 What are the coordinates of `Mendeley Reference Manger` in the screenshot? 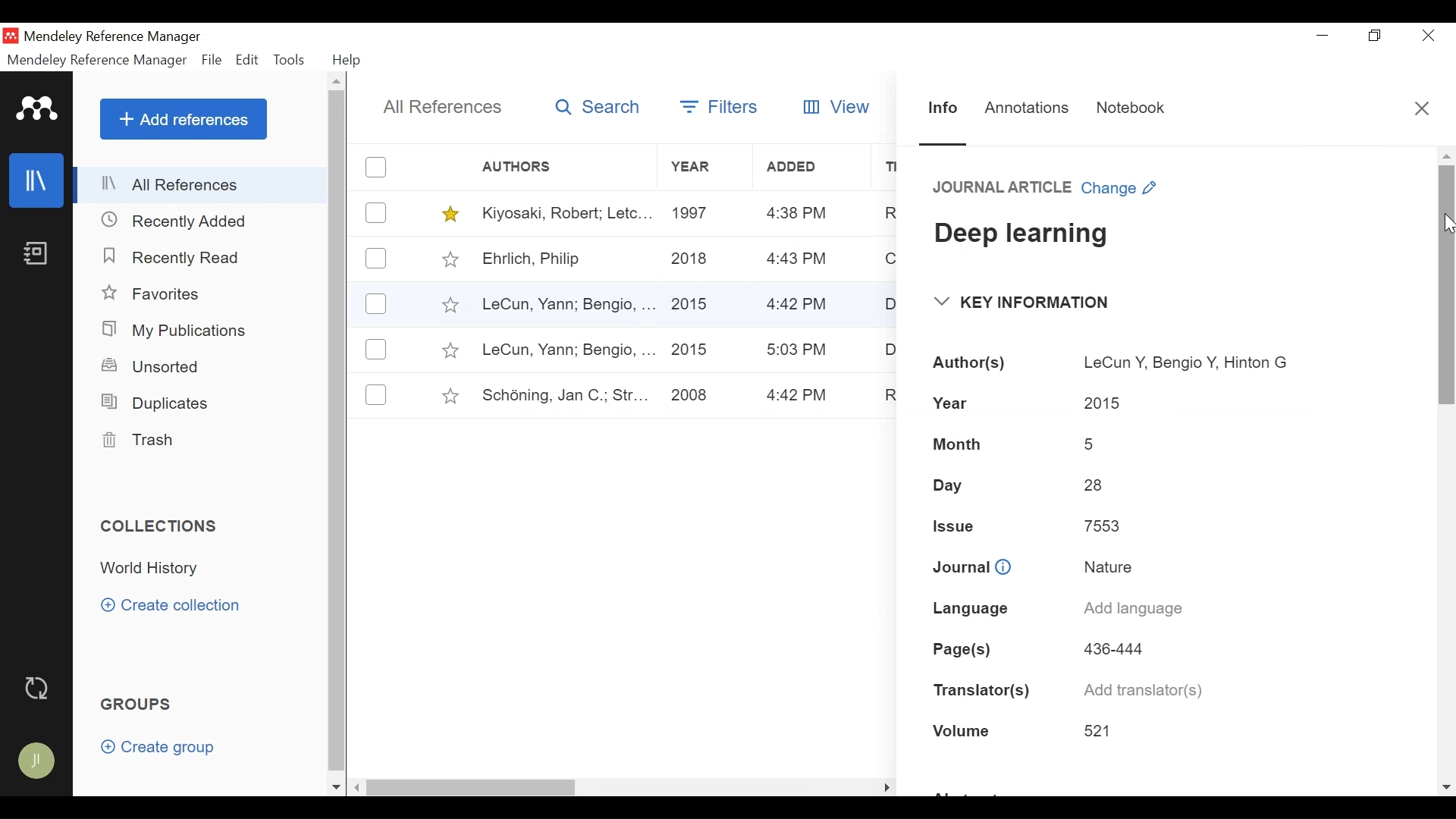 It's located at (122, 36).